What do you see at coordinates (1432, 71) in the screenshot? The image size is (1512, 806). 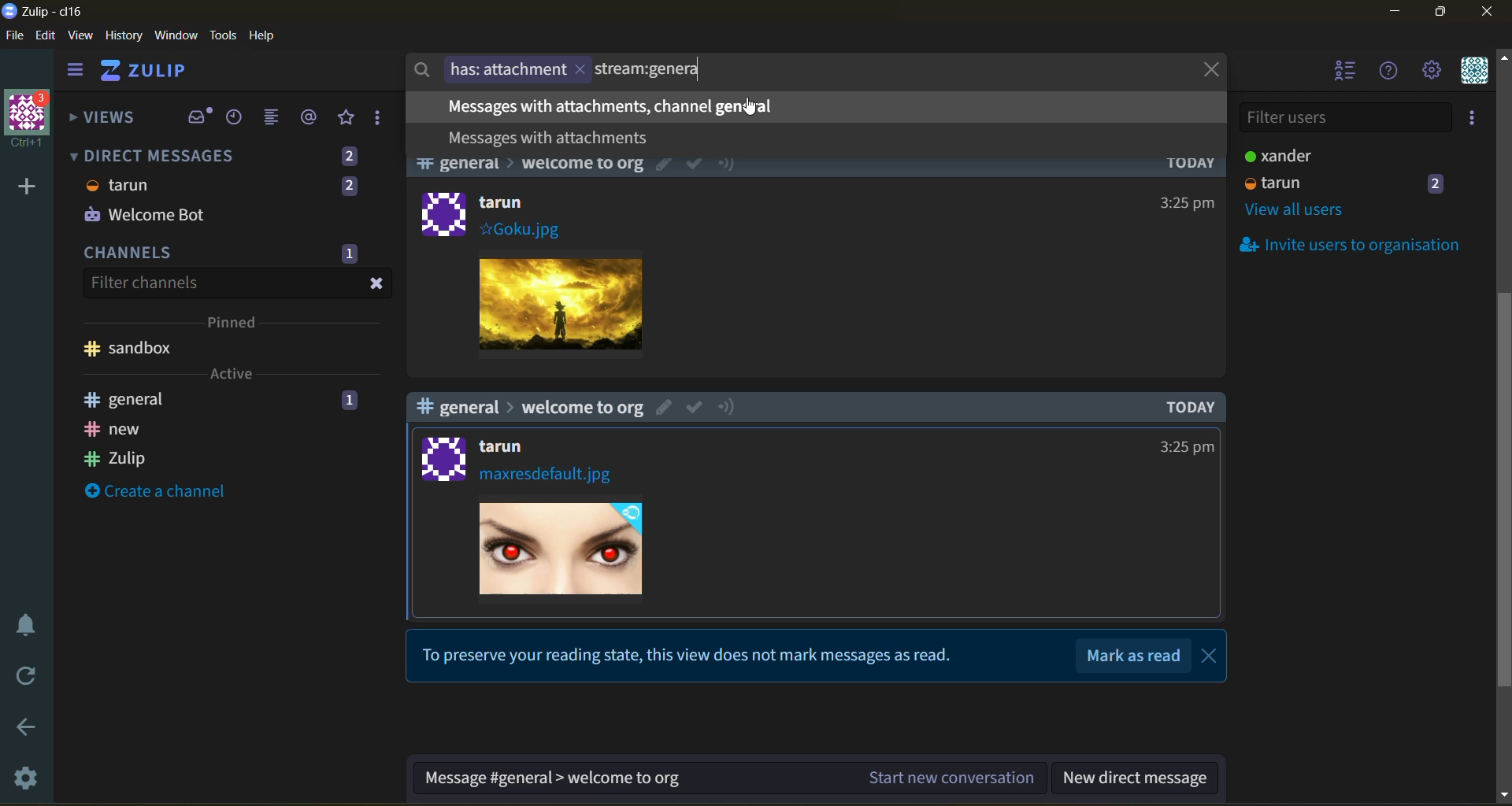 I see `settings` at bounding box center [1432, 71].